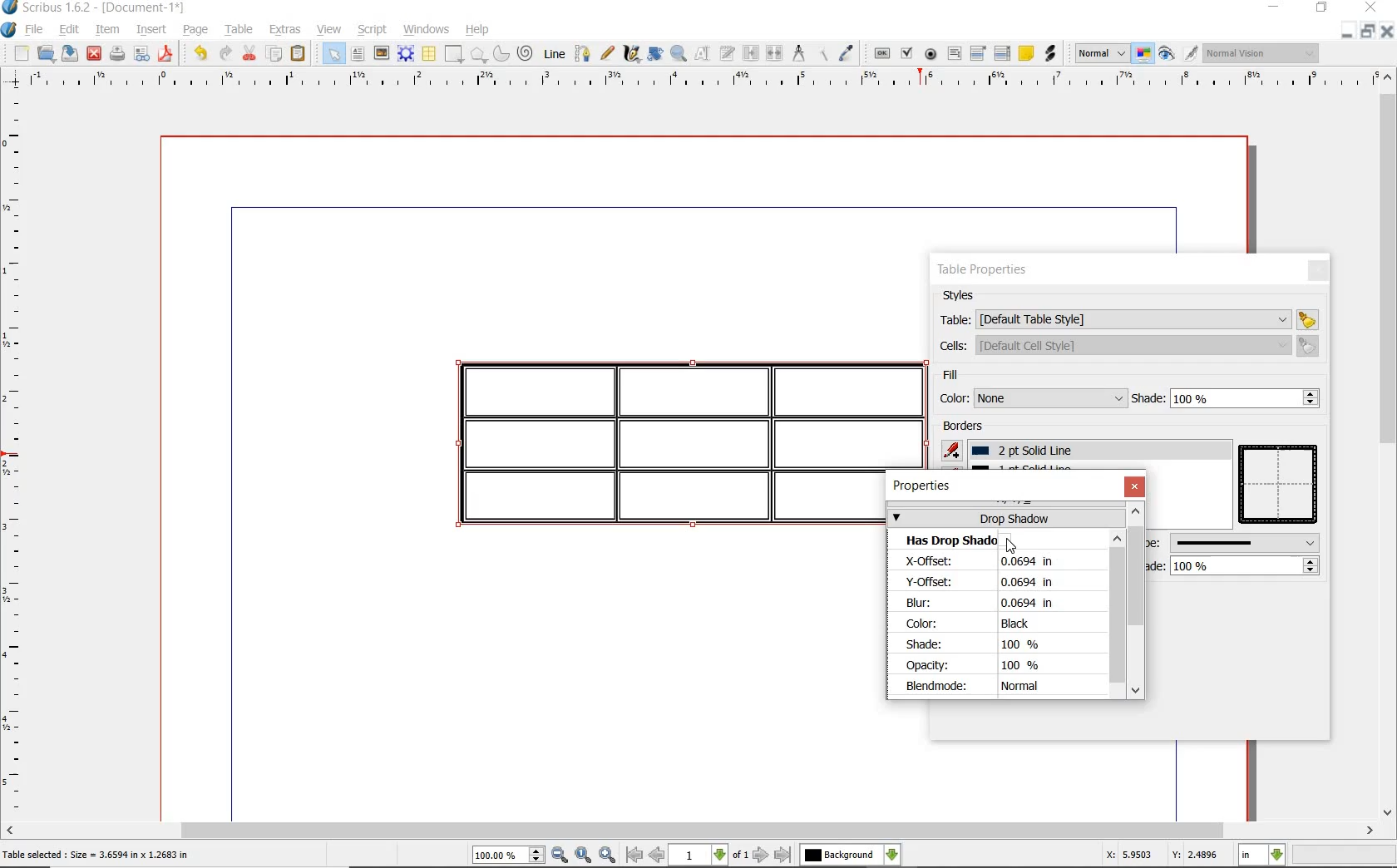  What do you see at coordinates (1281, 486) in the screenshot?
I see `table preview` at bounding box center [1281, 486].